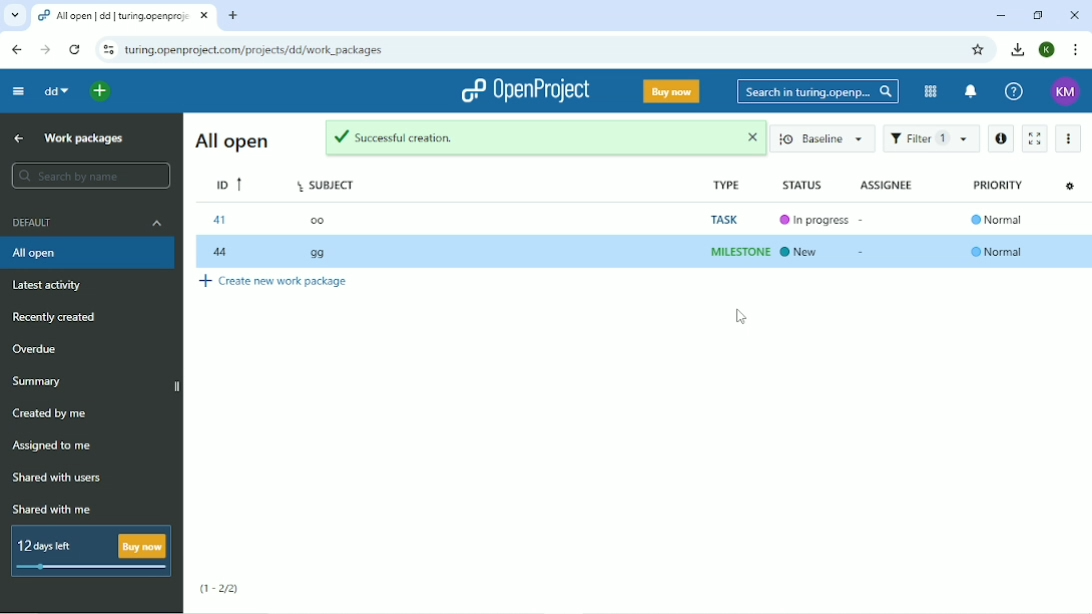  I want to click on Assignee, so click(887, 183).